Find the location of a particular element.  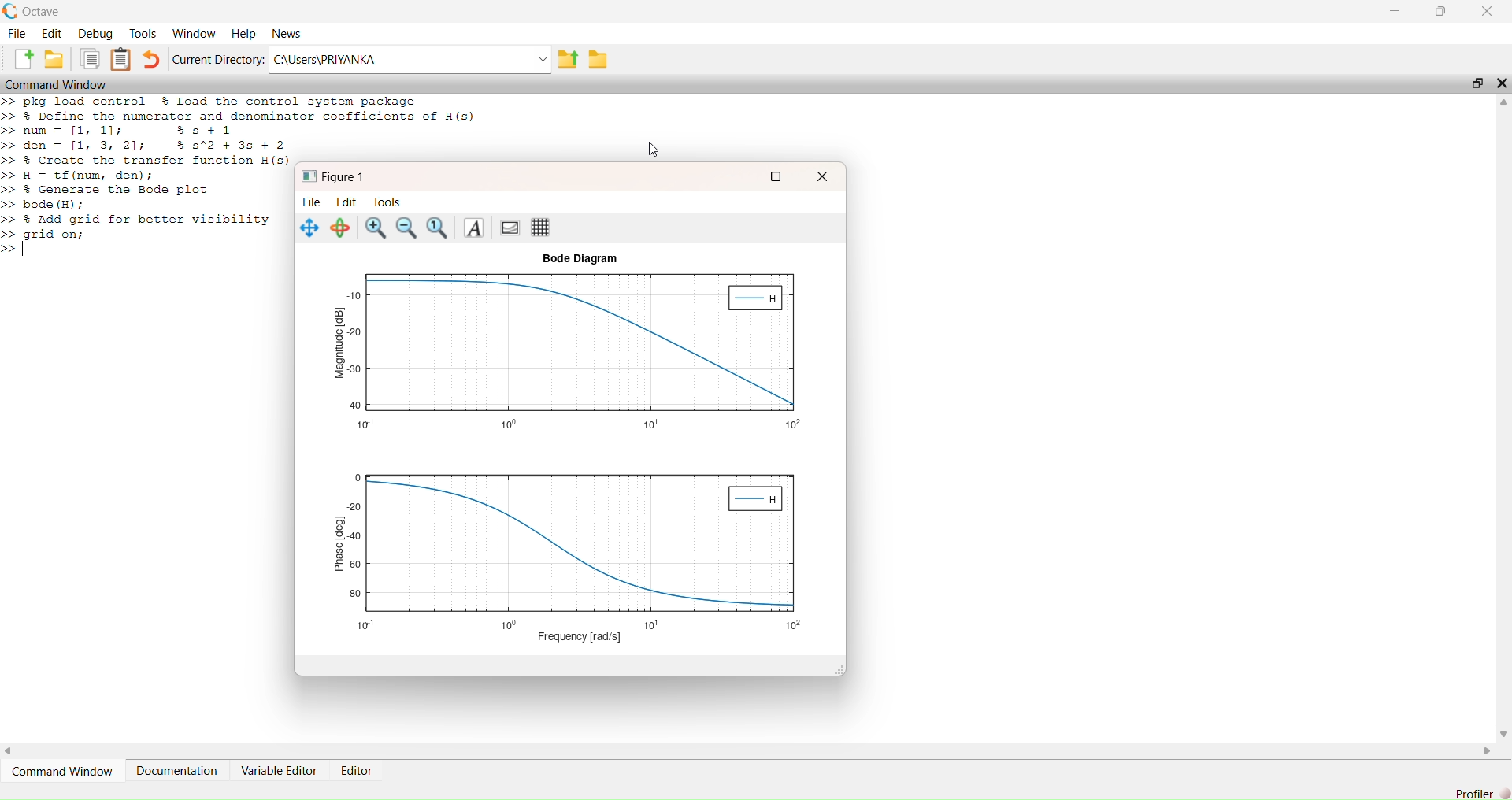

restore is located at coordinates (1440, 11).